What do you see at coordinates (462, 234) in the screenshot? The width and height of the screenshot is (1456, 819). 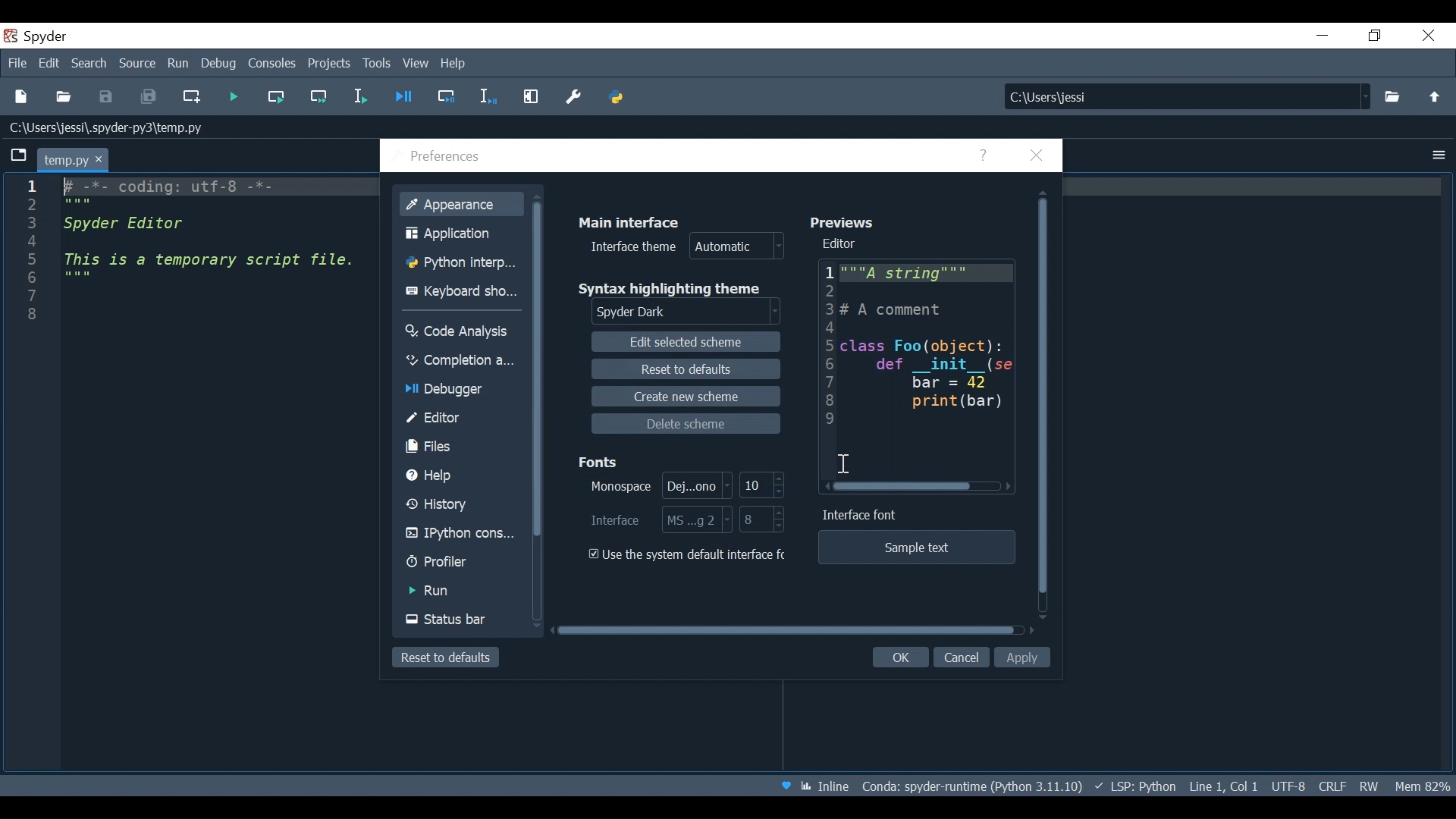 I see `Application` at bounding box center [462, 234].